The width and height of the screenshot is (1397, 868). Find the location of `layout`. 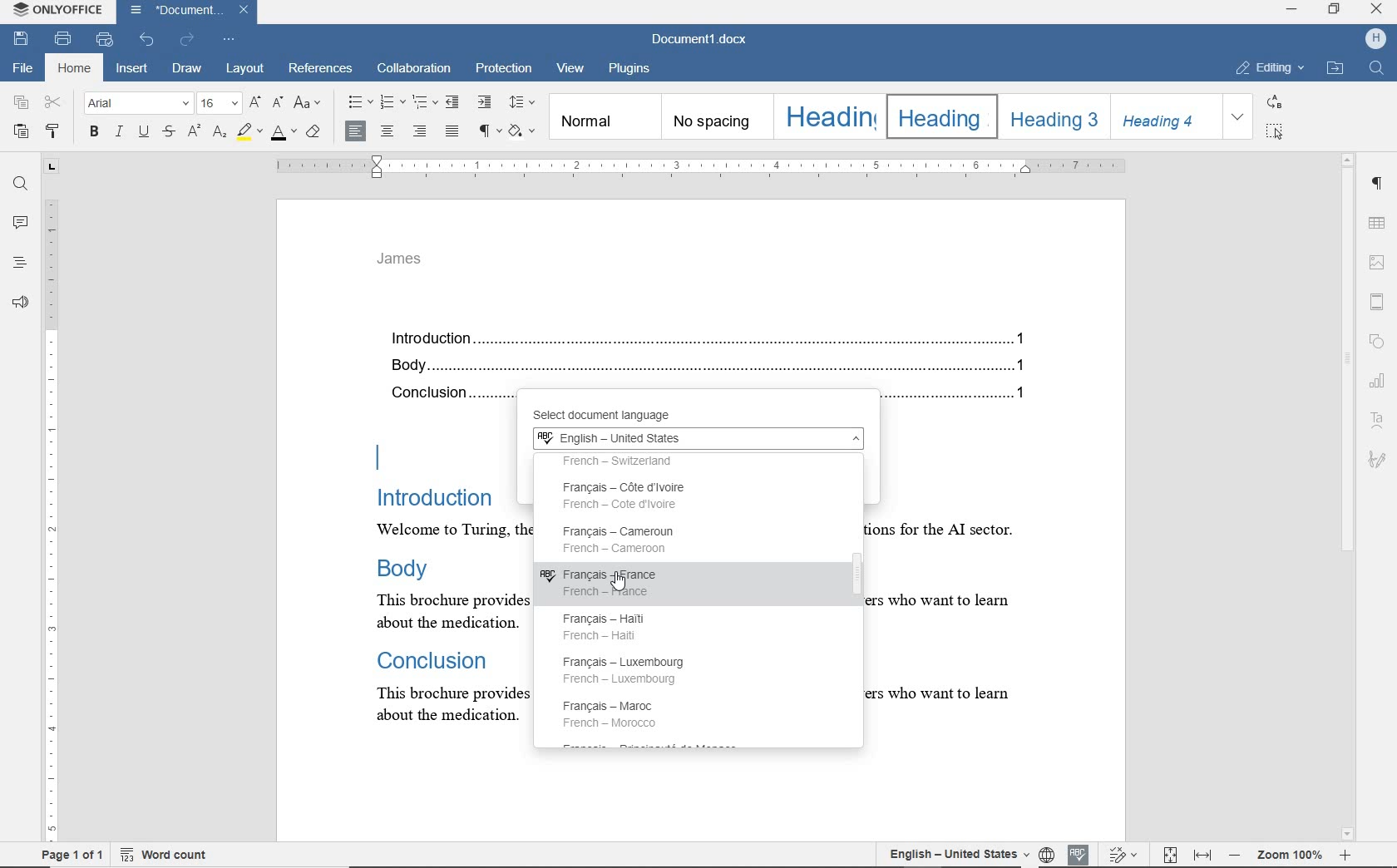

layout is located at coordinates (245, 70).